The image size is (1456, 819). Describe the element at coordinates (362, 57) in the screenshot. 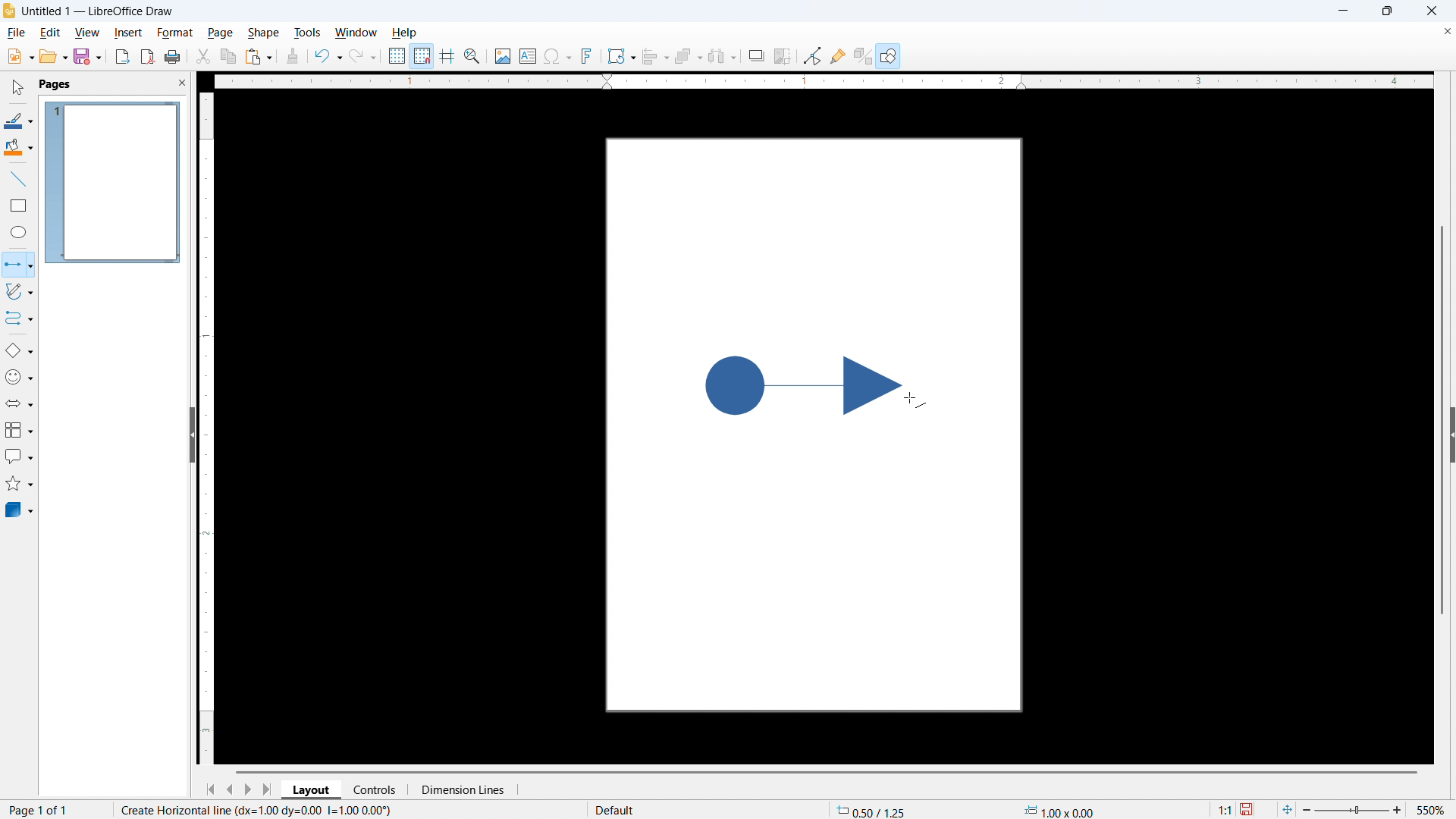

I see `Redo ` at that location.